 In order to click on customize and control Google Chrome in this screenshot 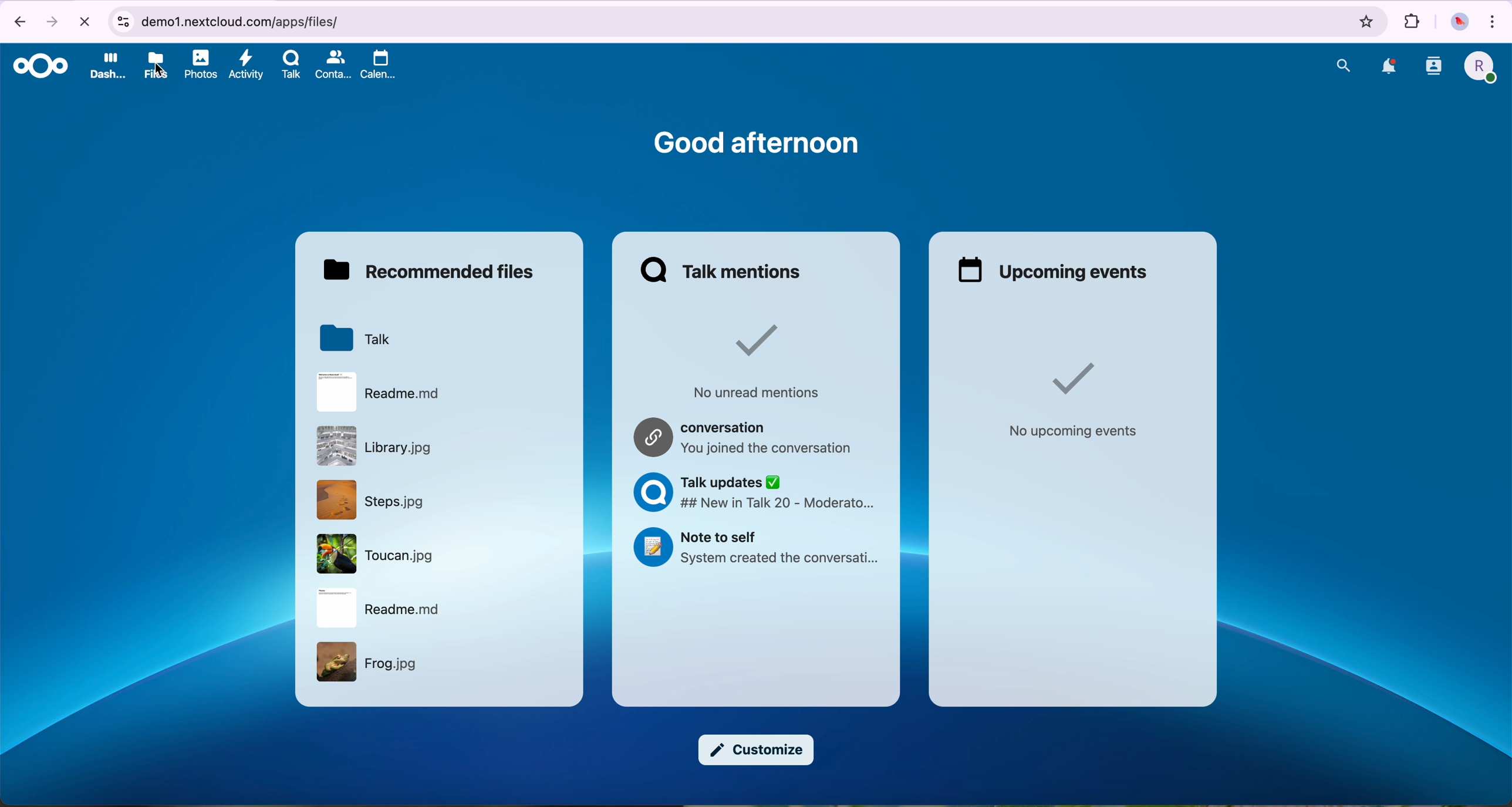, I will do `click(1496, 20)`.